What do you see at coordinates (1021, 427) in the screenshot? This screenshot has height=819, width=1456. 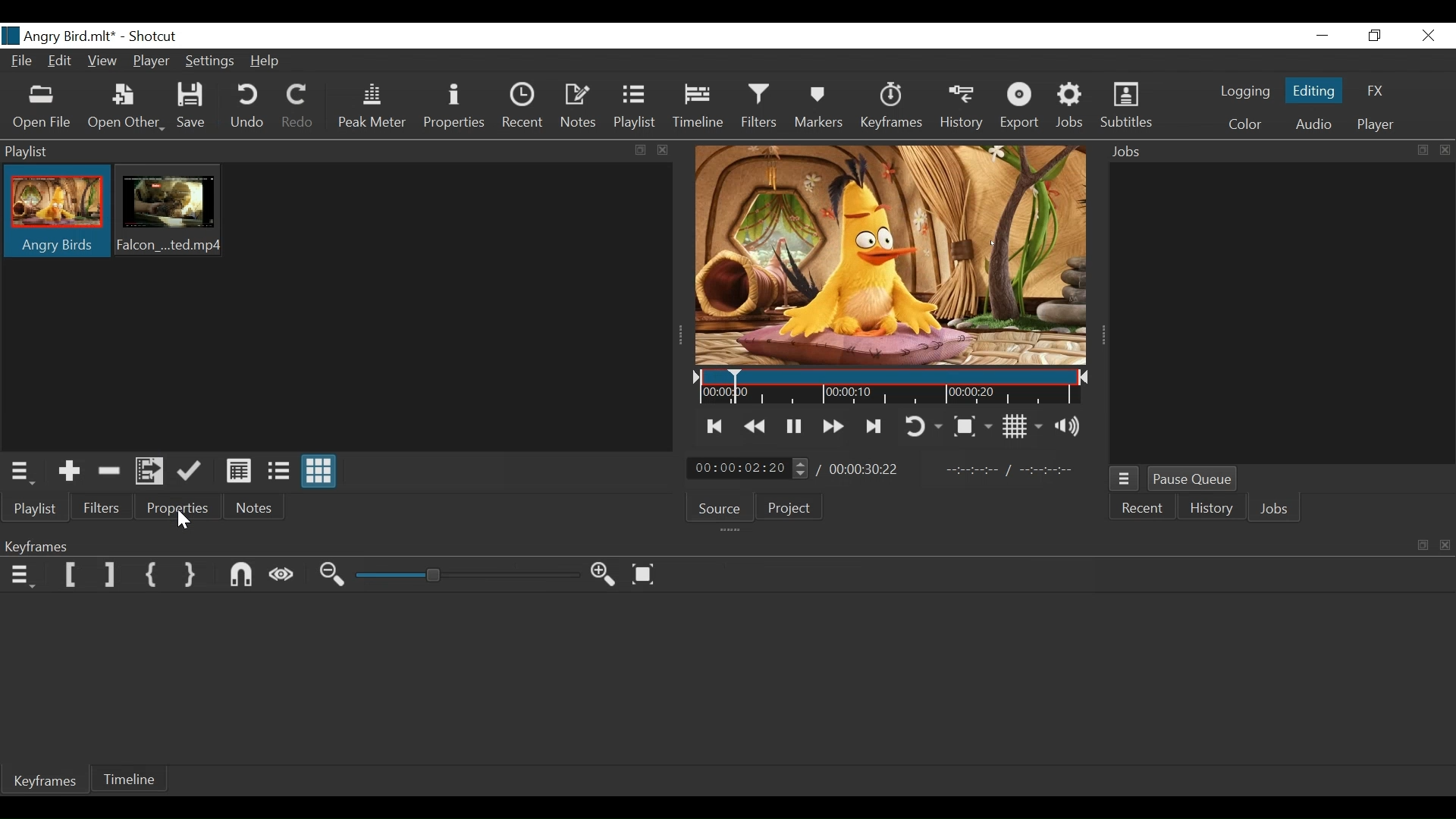 I see `Toggle display grid on player` at bounding box center [1021, 427].